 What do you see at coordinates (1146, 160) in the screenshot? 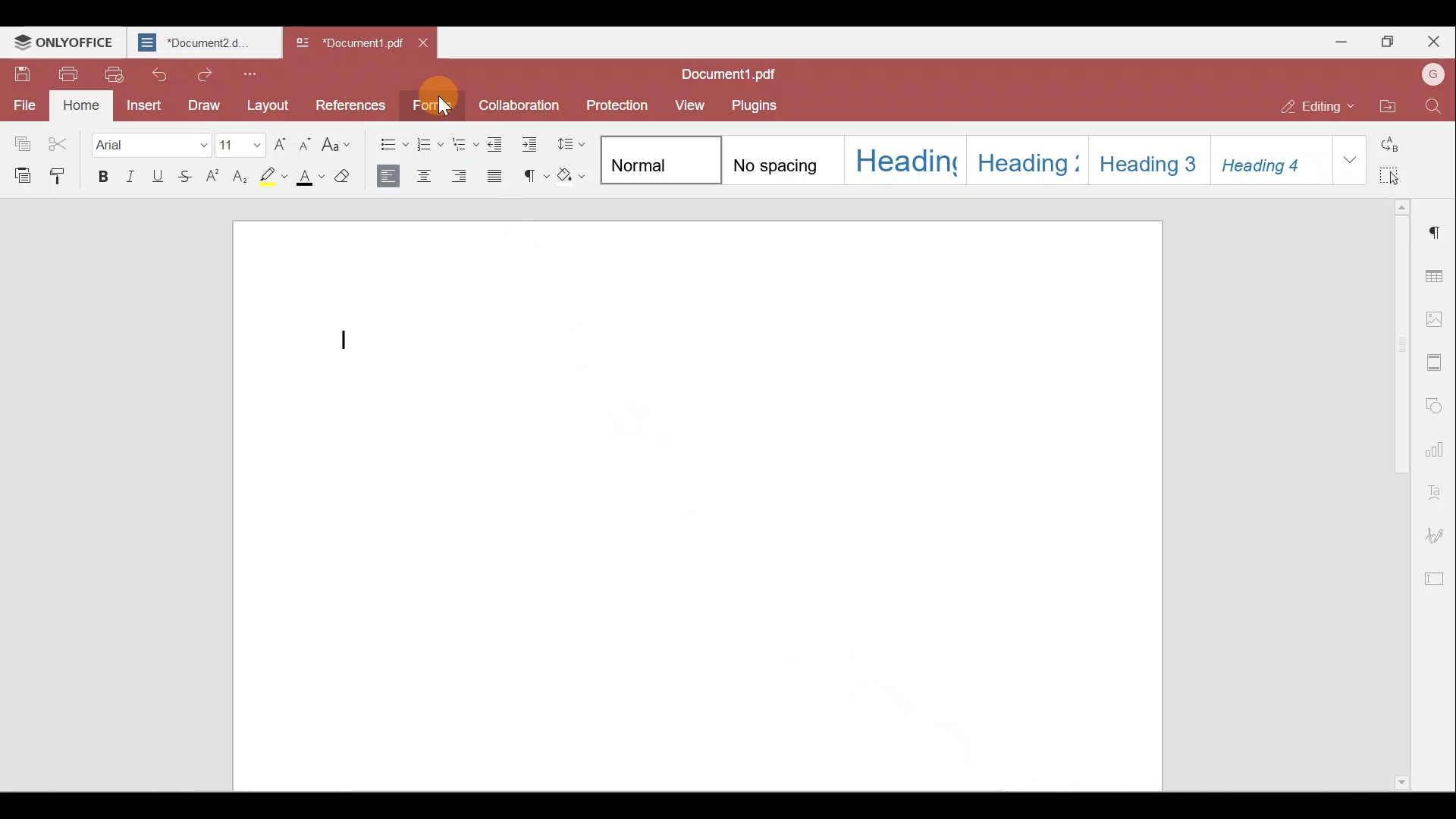
I see `Heading 3` at bounding box center [1146, 160].